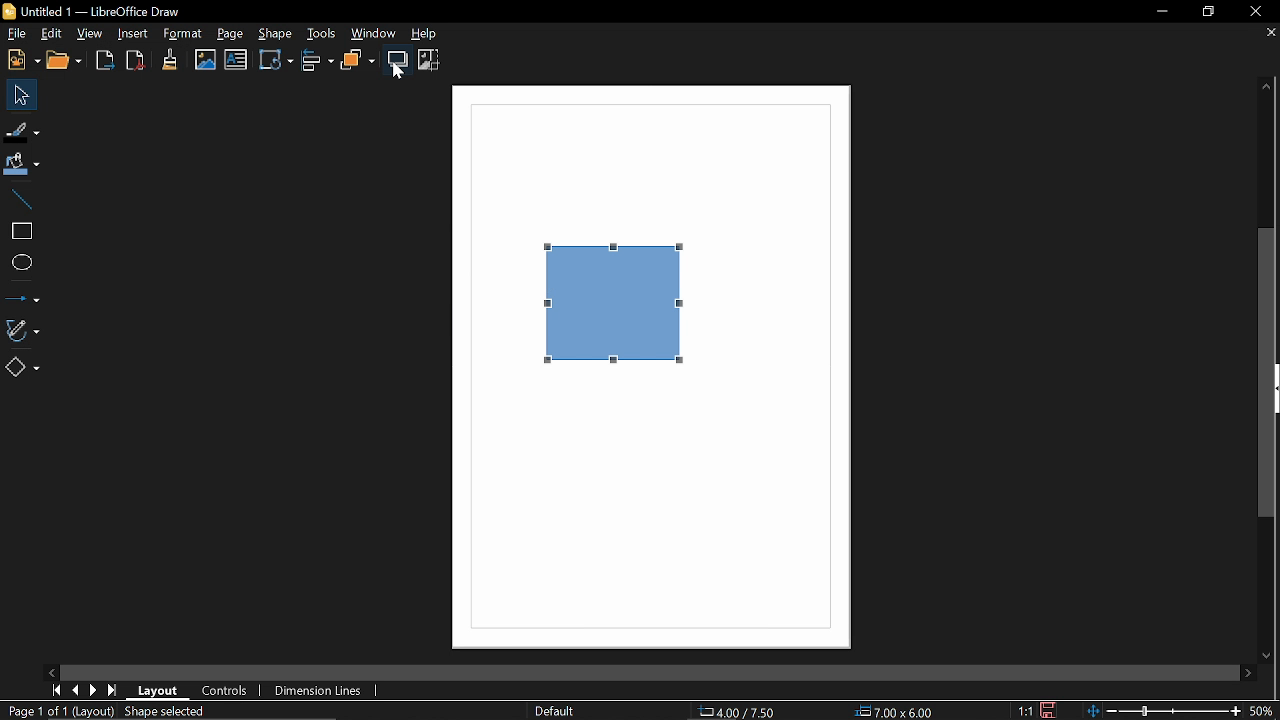  I want to click on Next page, so click(94, 690).